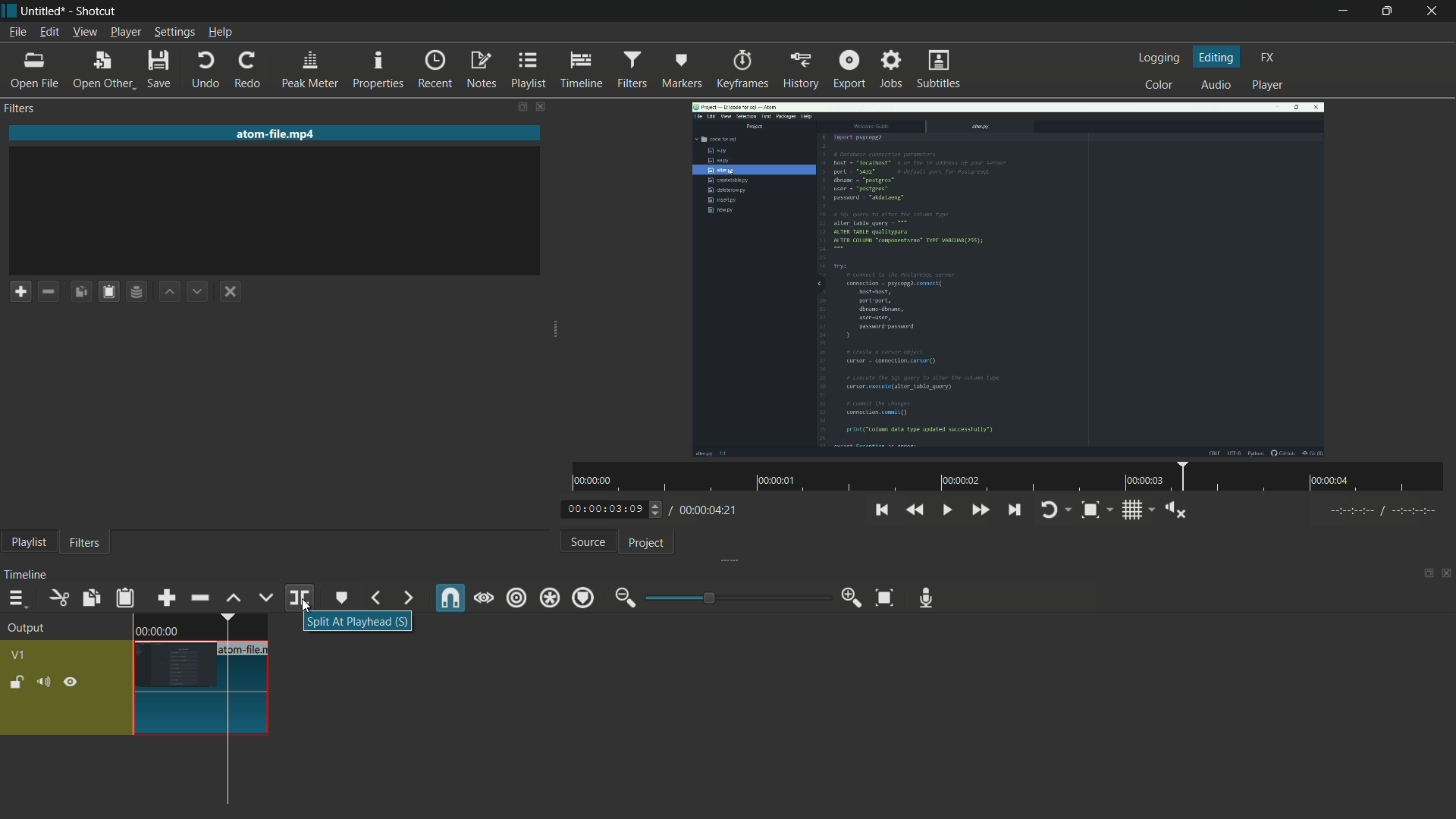  I want to click on hide, so click(71, 683).